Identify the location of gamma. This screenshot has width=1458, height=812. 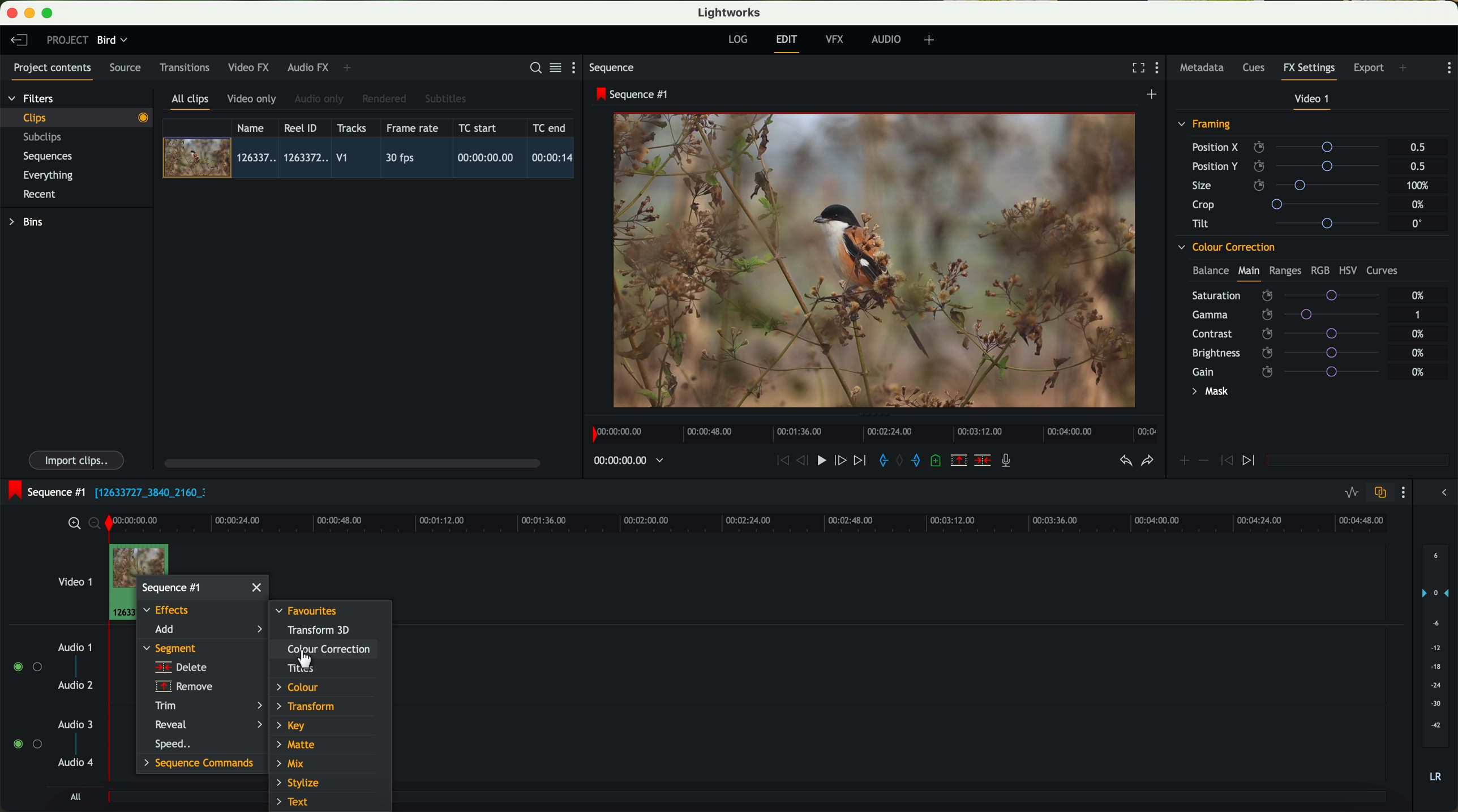
(1292, 314).